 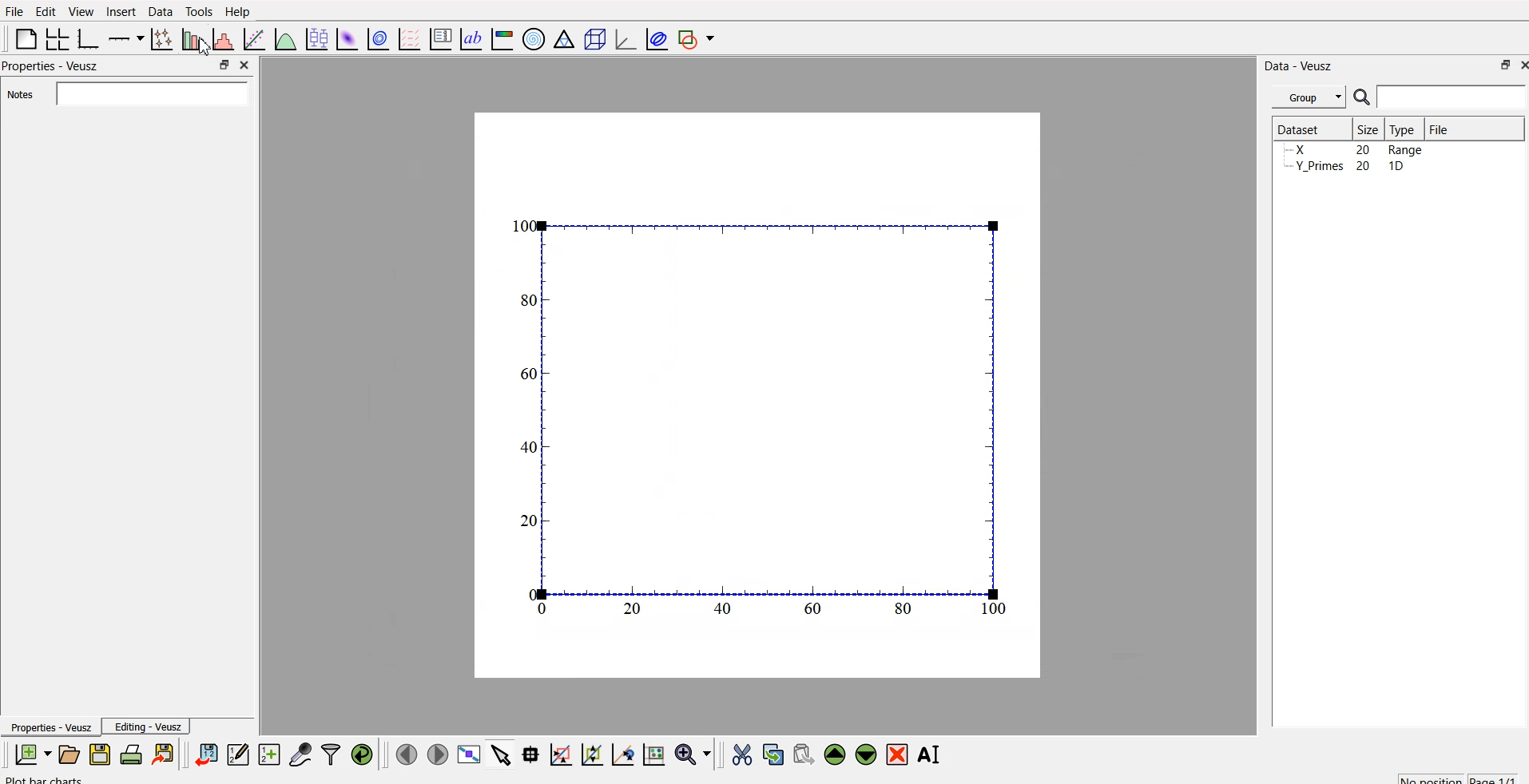 I want to click on read datapoint on graph, so click(x=529, y=754).